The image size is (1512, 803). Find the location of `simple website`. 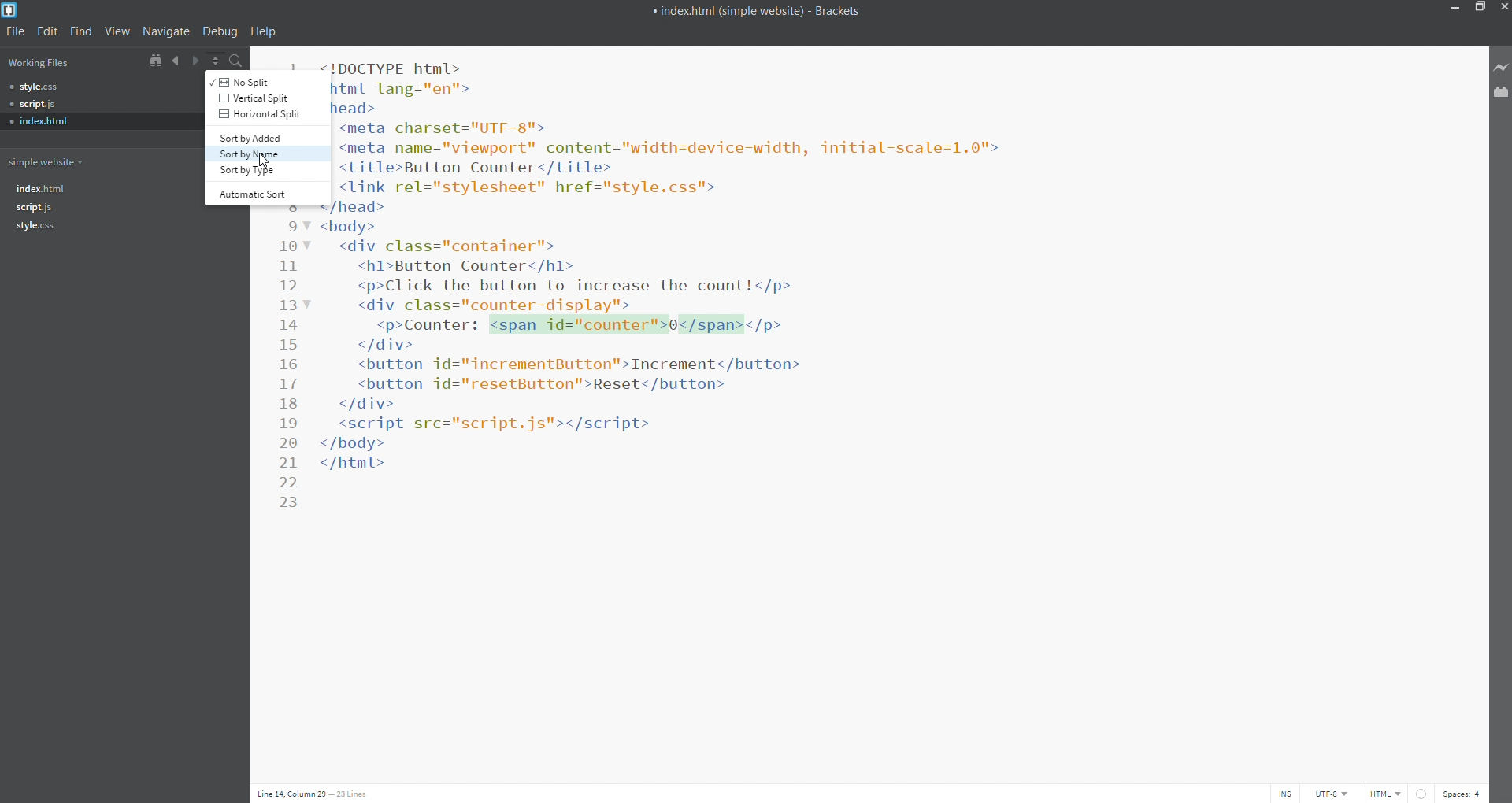

simple website is located at coordinates (49, 161).